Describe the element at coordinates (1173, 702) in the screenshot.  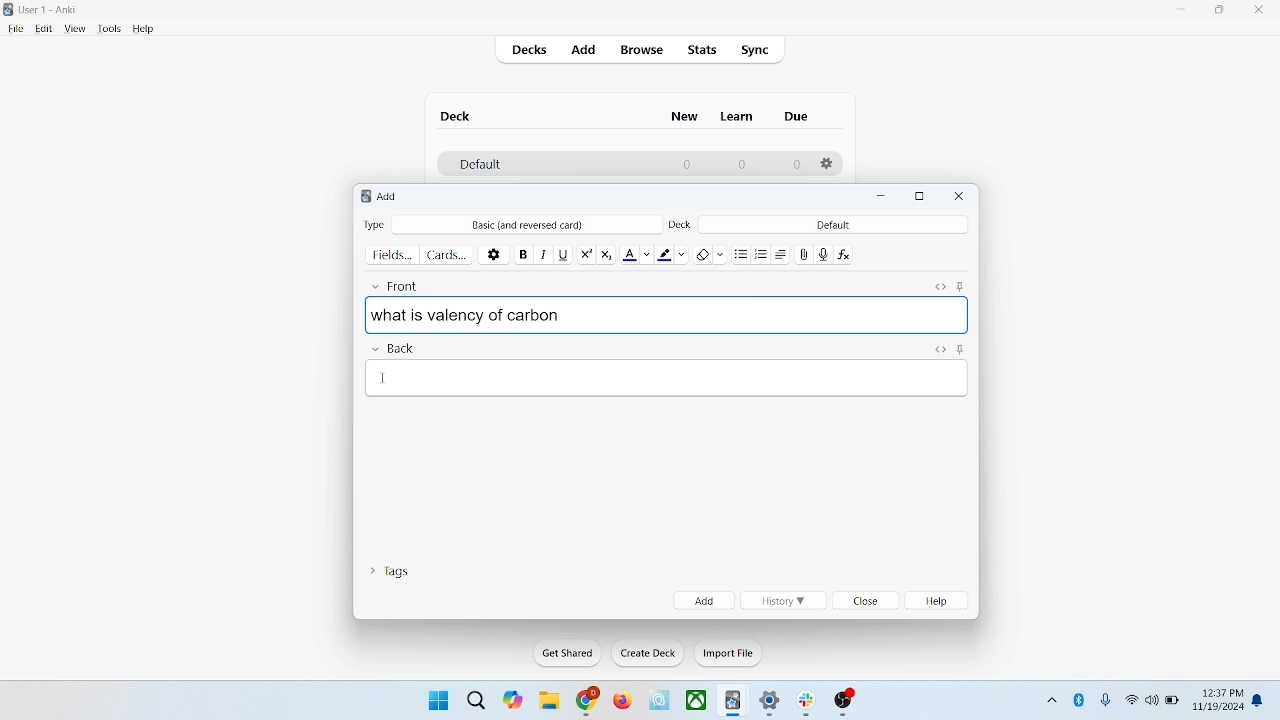
I see `battery` at that location.